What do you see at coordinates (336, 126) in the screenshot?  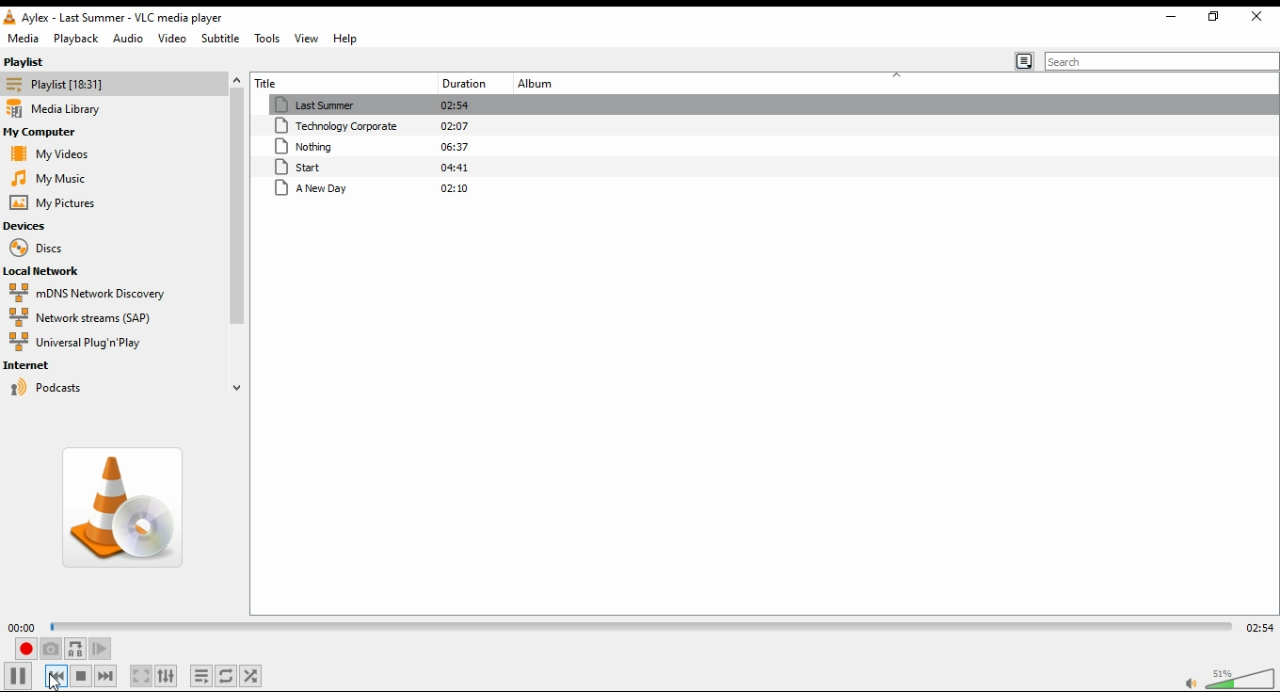 I see `technology corporate` at bounding box center [336, 126].